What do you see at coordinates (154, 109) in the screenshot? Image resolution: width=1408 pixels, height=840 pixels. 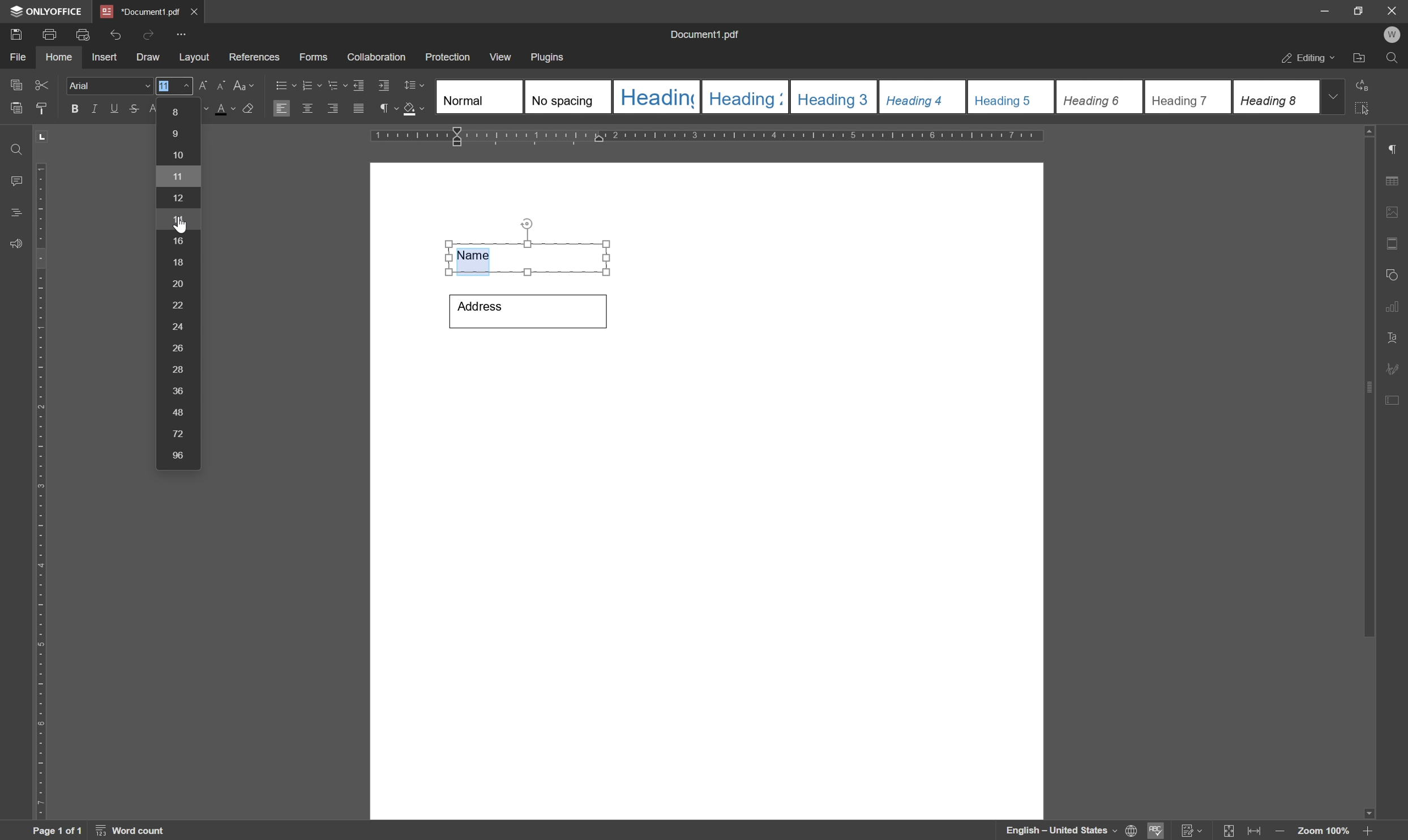 I see `superscript` at bounding box center [154, 109].